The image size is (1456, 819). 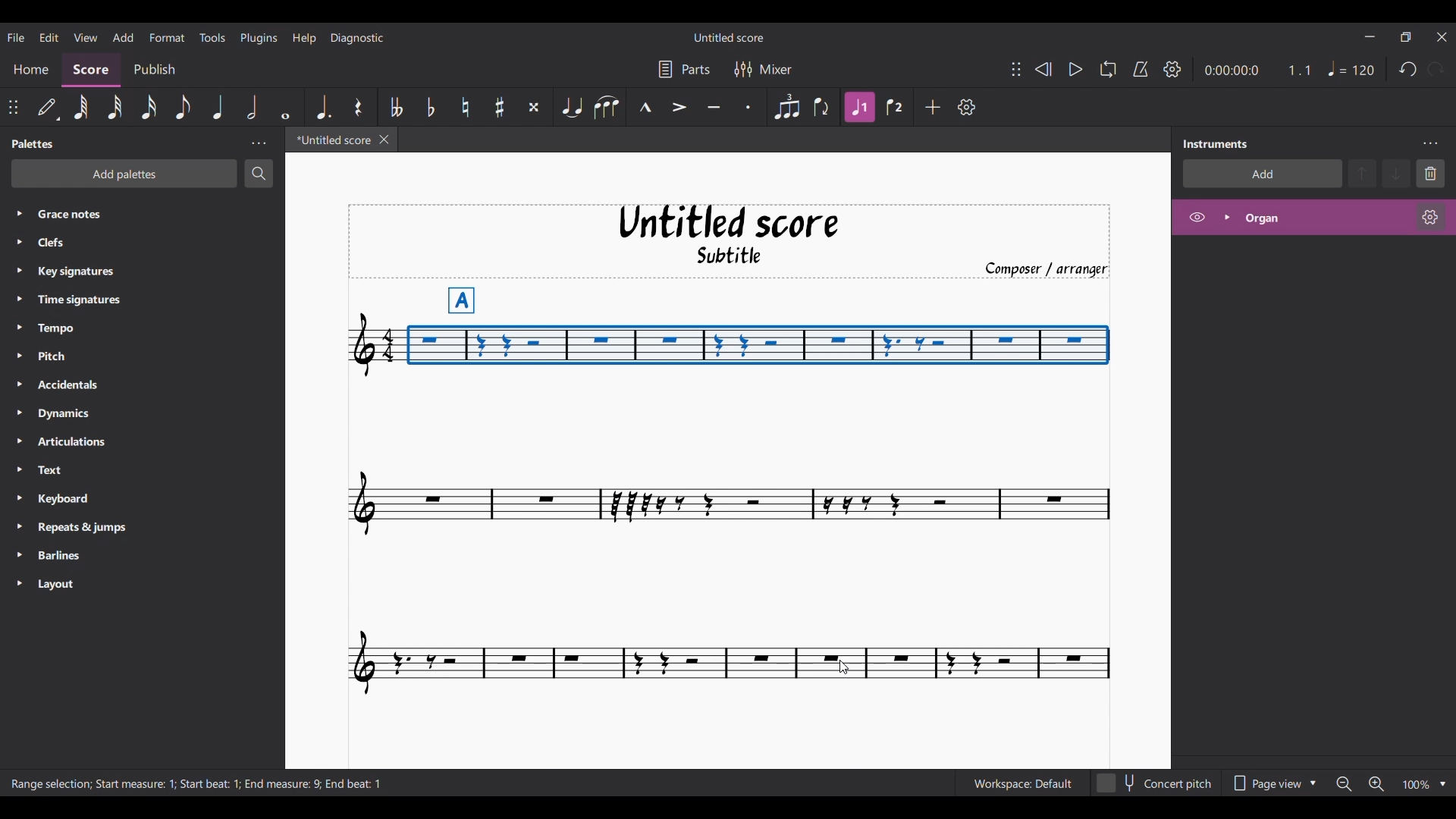 What do you see at coordinates (47, 106) in the screenshot?
I see `Default` at bounding box center [47, 106].